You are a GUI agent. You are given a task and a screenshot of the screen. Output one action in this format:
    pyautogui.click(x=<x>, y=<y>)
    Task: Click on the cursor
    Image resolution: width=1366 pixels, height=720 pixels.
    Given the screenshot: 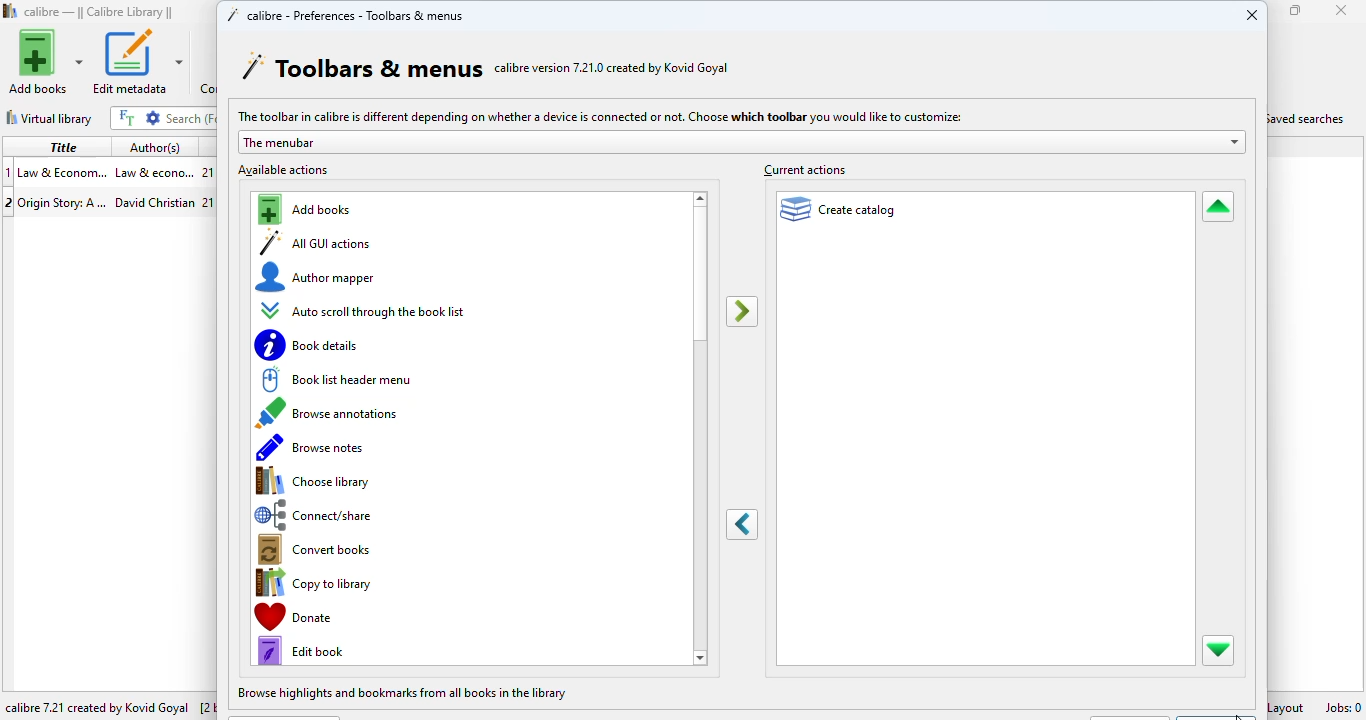 What is the action you would take?
    pyautogui.click(x=1239, y=715)
    